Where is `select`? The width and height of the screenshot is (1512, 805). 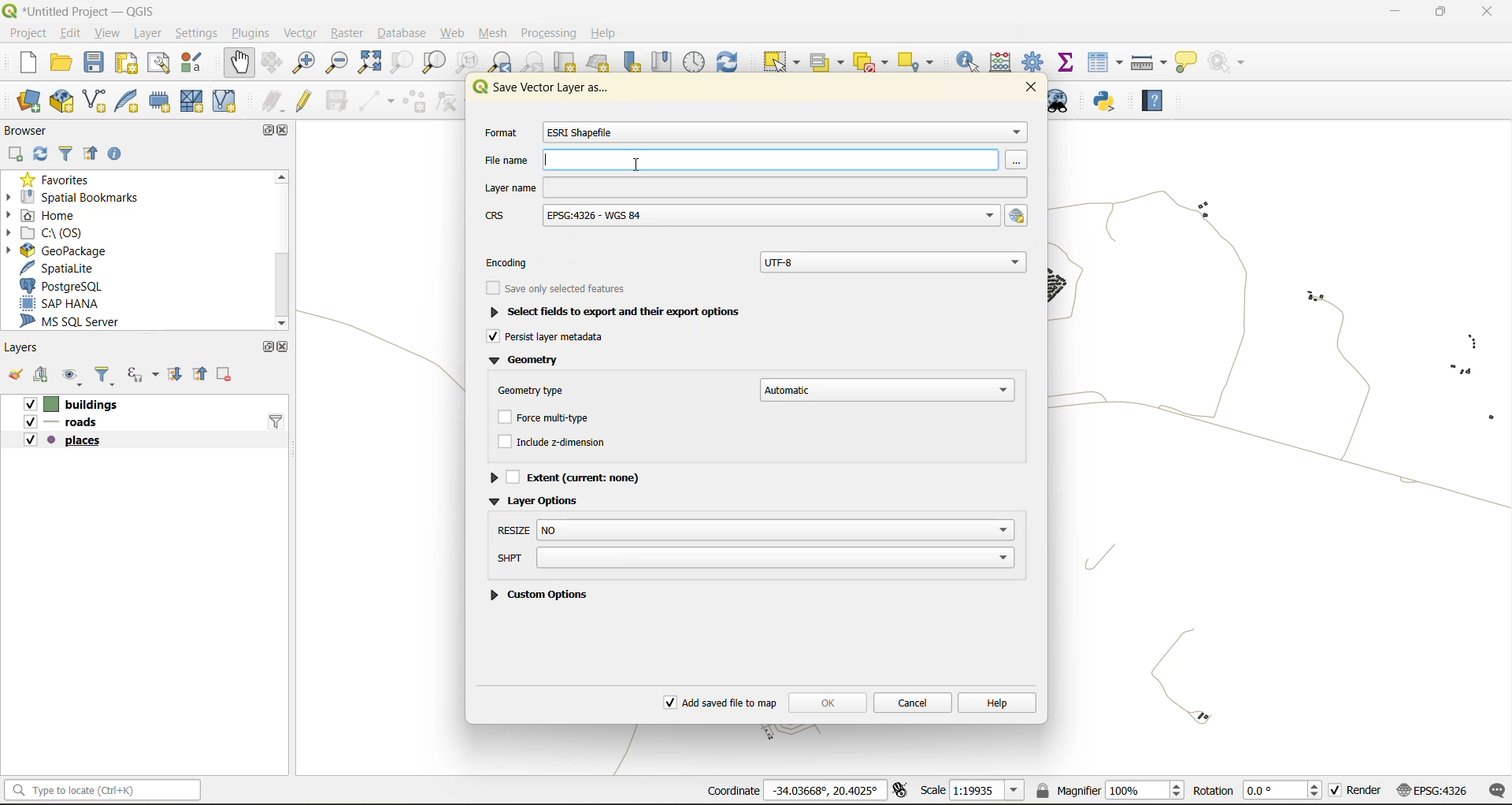
select is located at coordinates (784, 62).